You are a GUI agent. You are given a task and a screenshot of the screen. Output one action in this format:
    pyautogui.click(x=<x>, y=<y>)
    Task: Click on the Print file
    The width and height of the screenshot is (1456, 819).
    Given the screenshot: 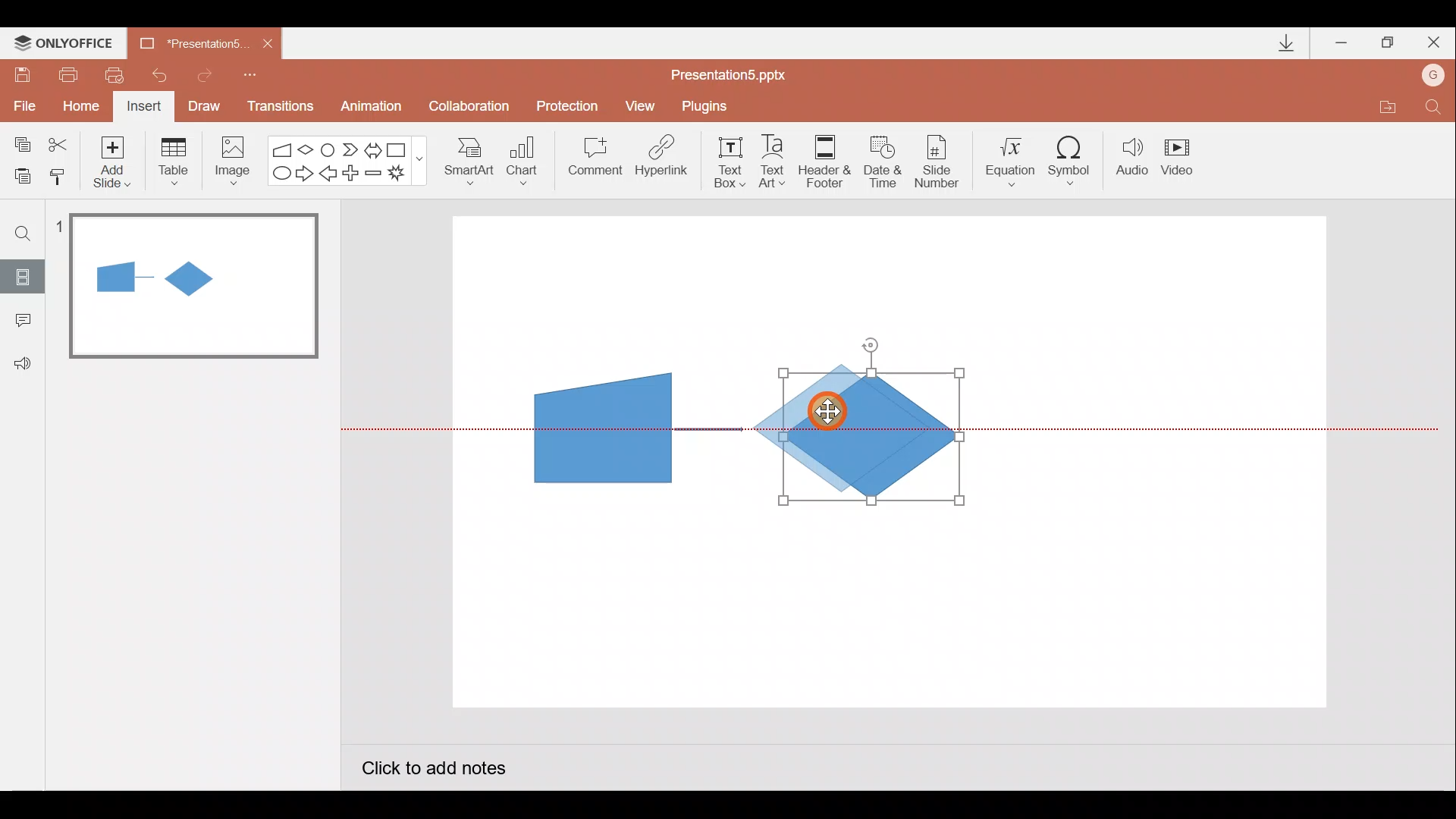 What is the action you would take?
    pyautogui.click(x=65, y=74)
    